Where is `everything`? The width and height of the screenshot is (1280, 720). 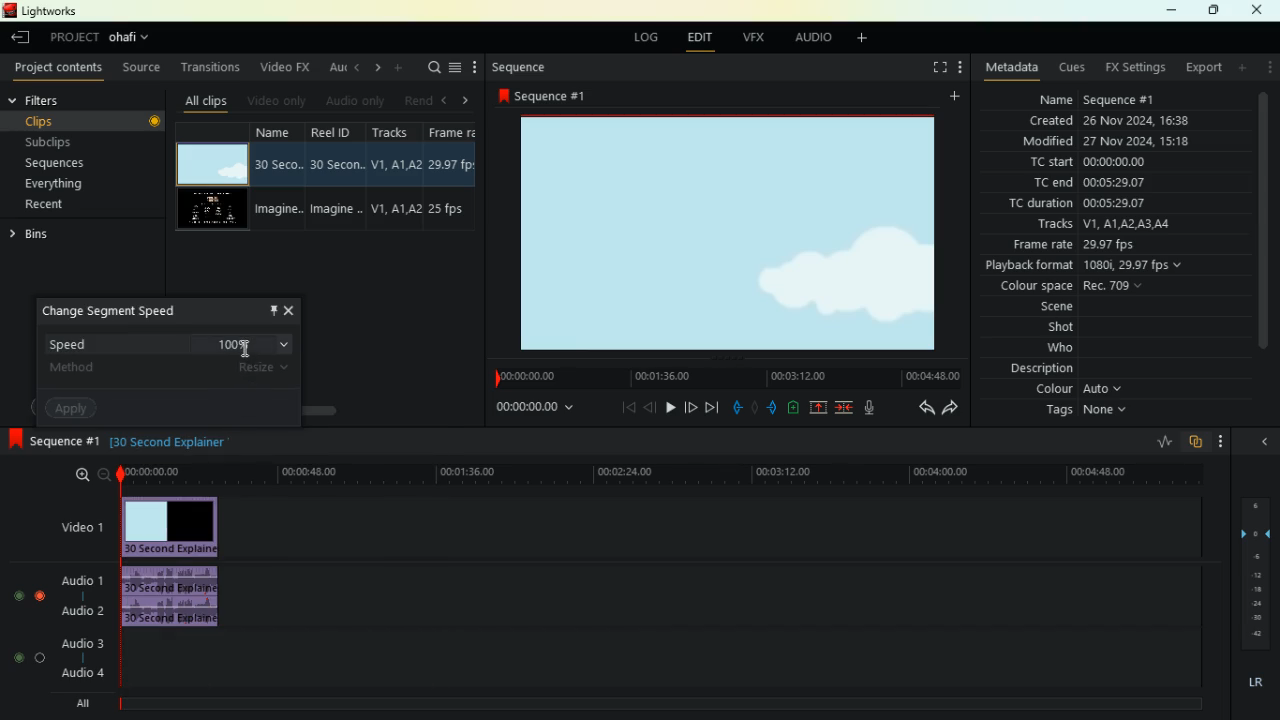 everything is located at coordinates (61, 184).